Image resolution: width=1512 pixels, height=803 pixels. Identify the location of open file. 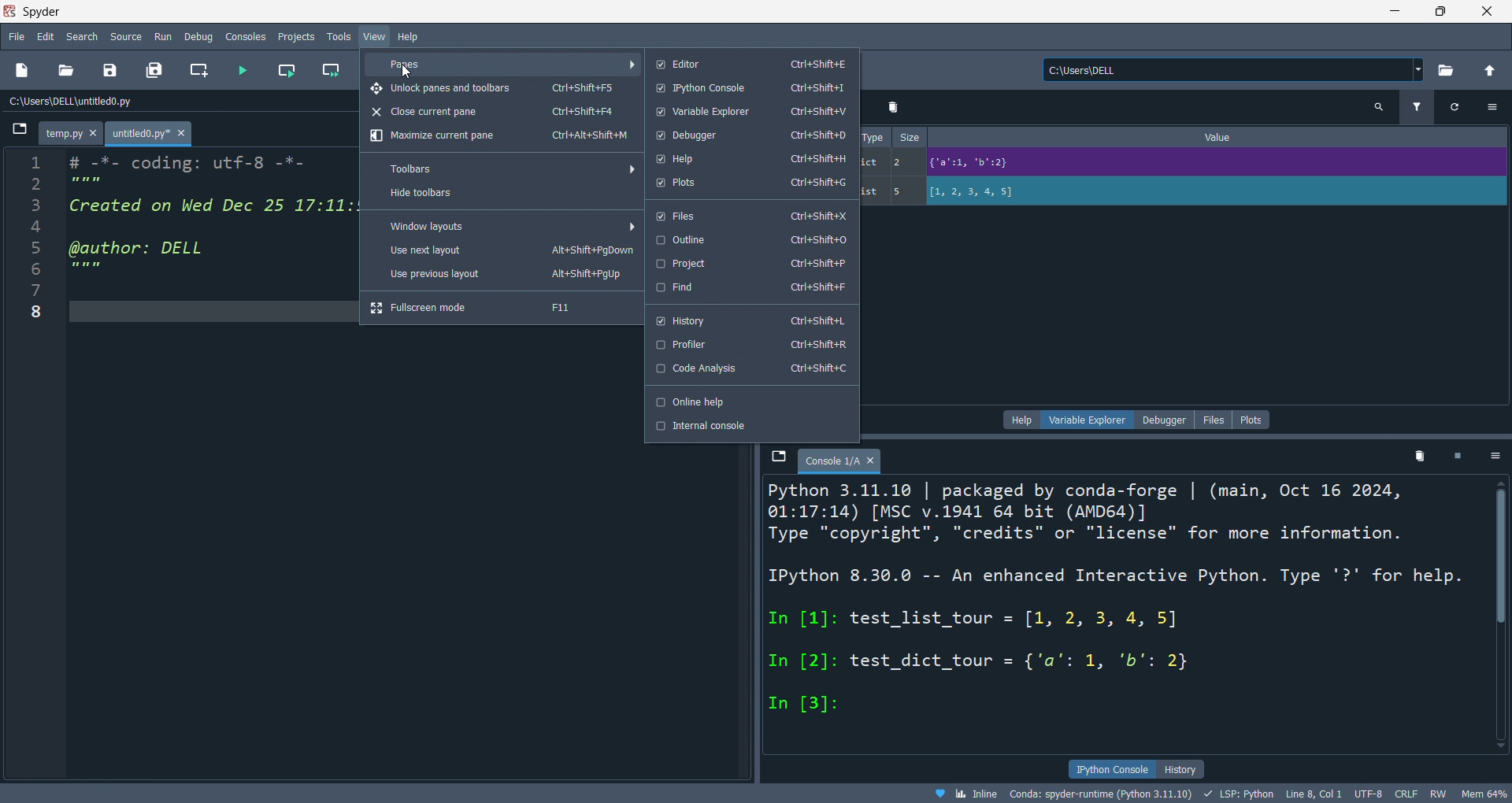
(65, 71).